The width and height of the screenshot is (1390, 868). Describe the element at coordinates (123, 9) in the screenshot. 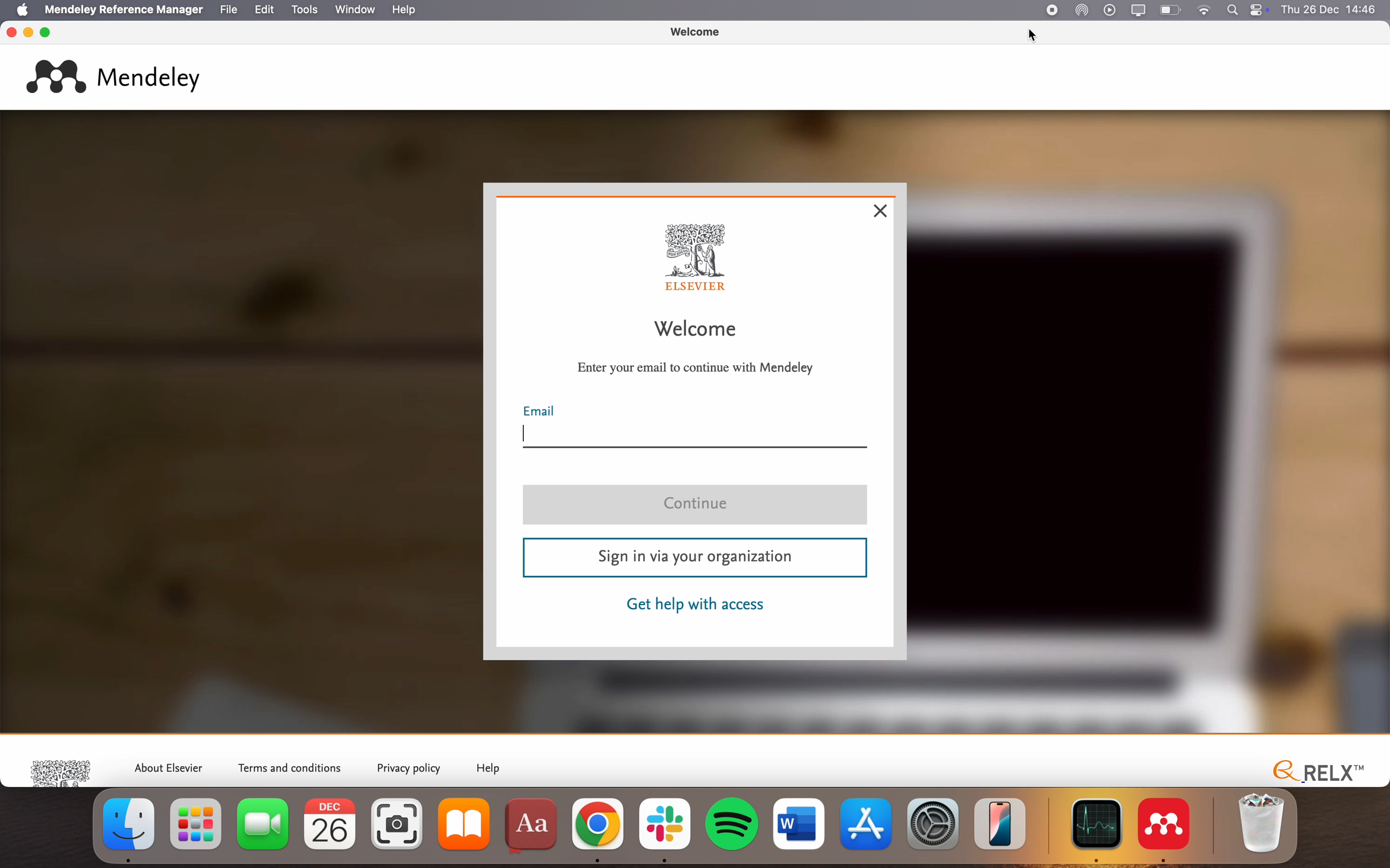

I see `Mendeley Reference Manager` at that location.